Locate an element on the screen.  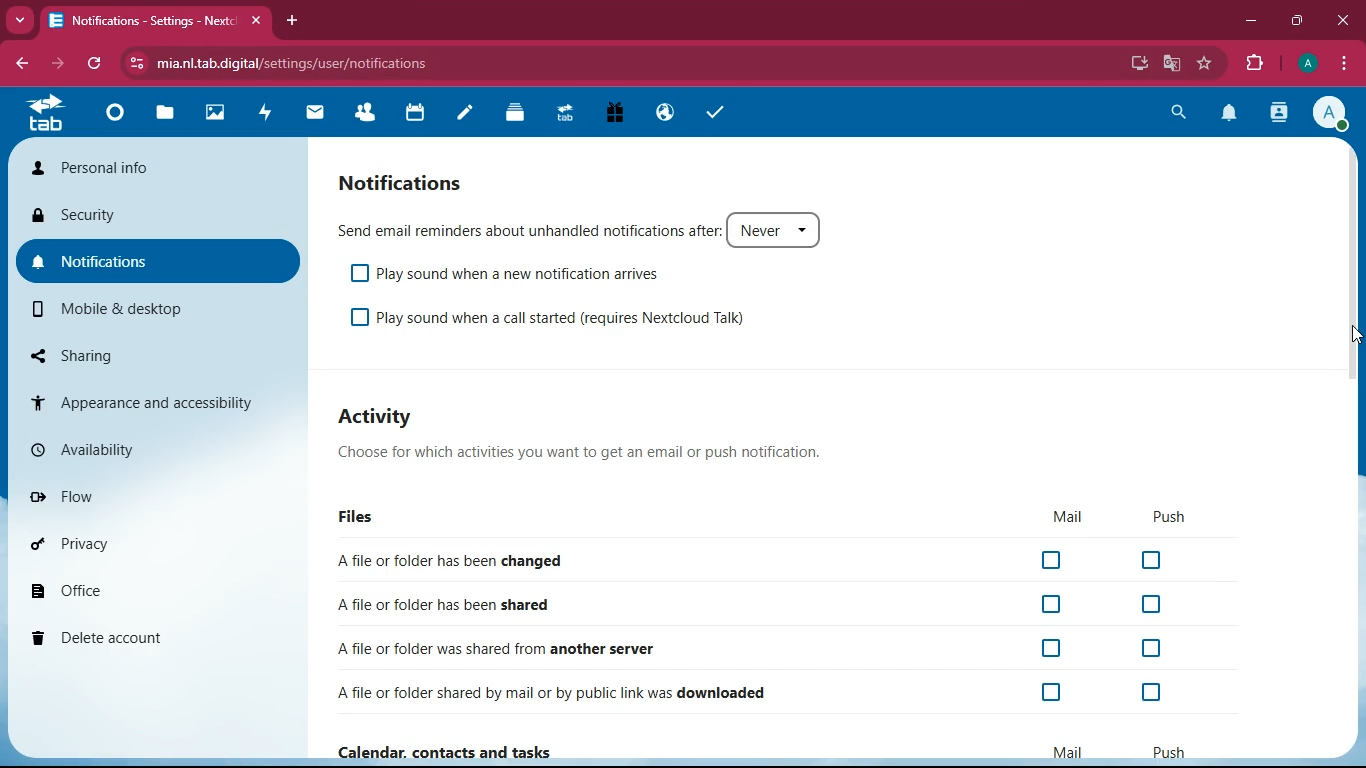
files is located at coordinates (359, 513).